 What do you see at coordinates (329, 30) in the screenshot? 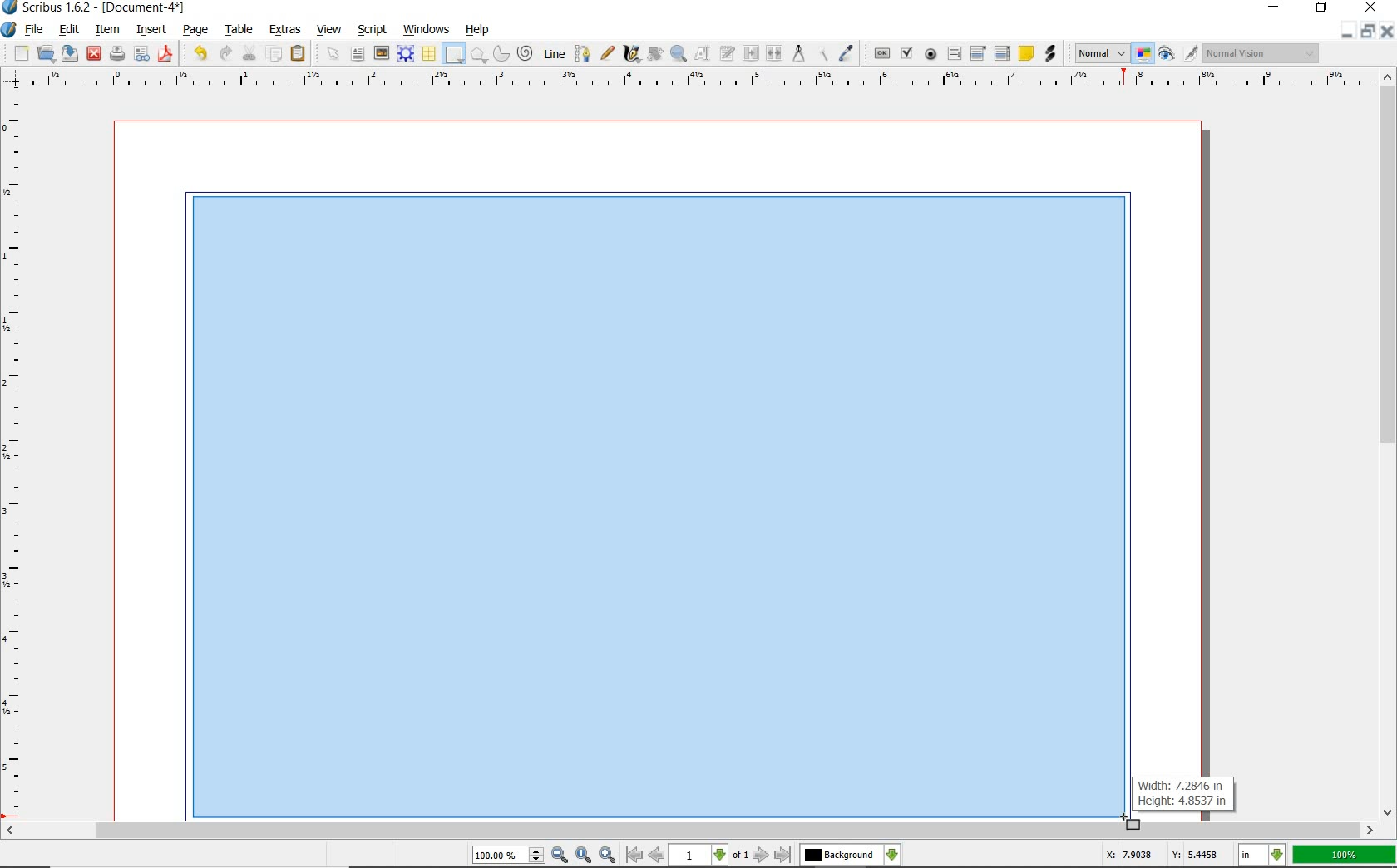
I see `view` at bounding box center [329, 30].